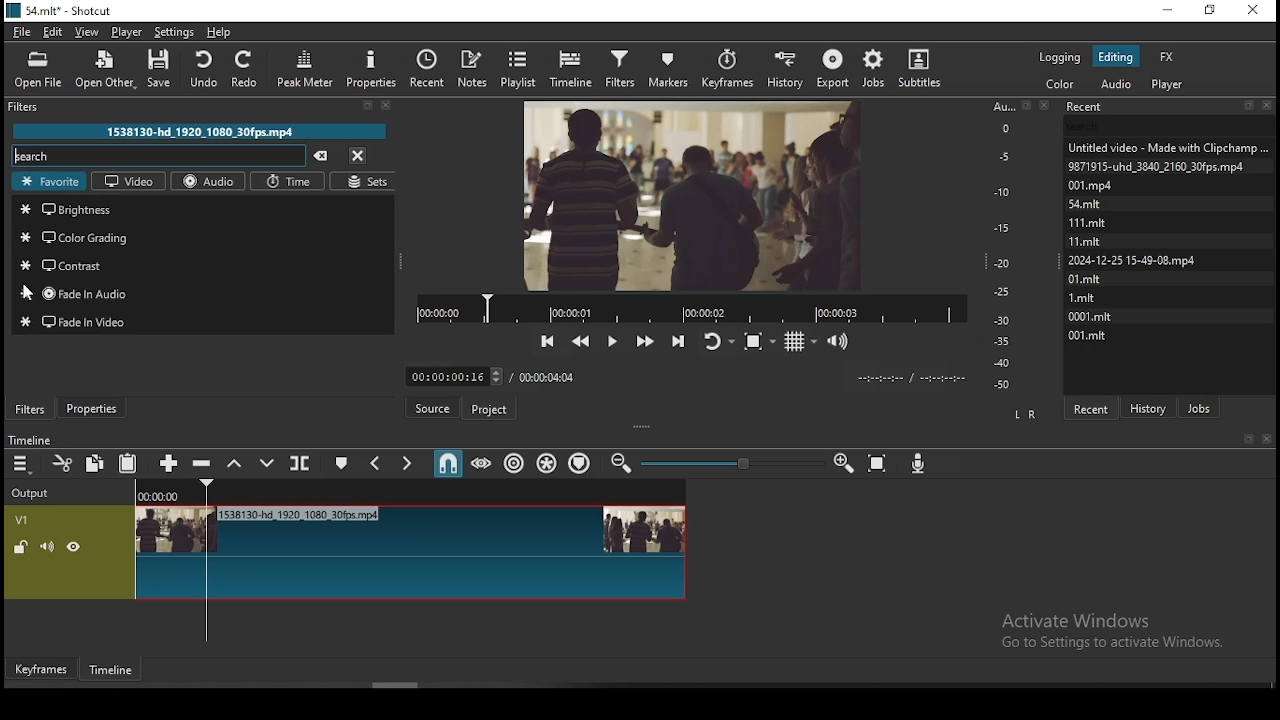 This screenshot has width=1280, height=720. Describe the element at coordinates (261, 463) in the screenshot. I see `overwrite` at that location.